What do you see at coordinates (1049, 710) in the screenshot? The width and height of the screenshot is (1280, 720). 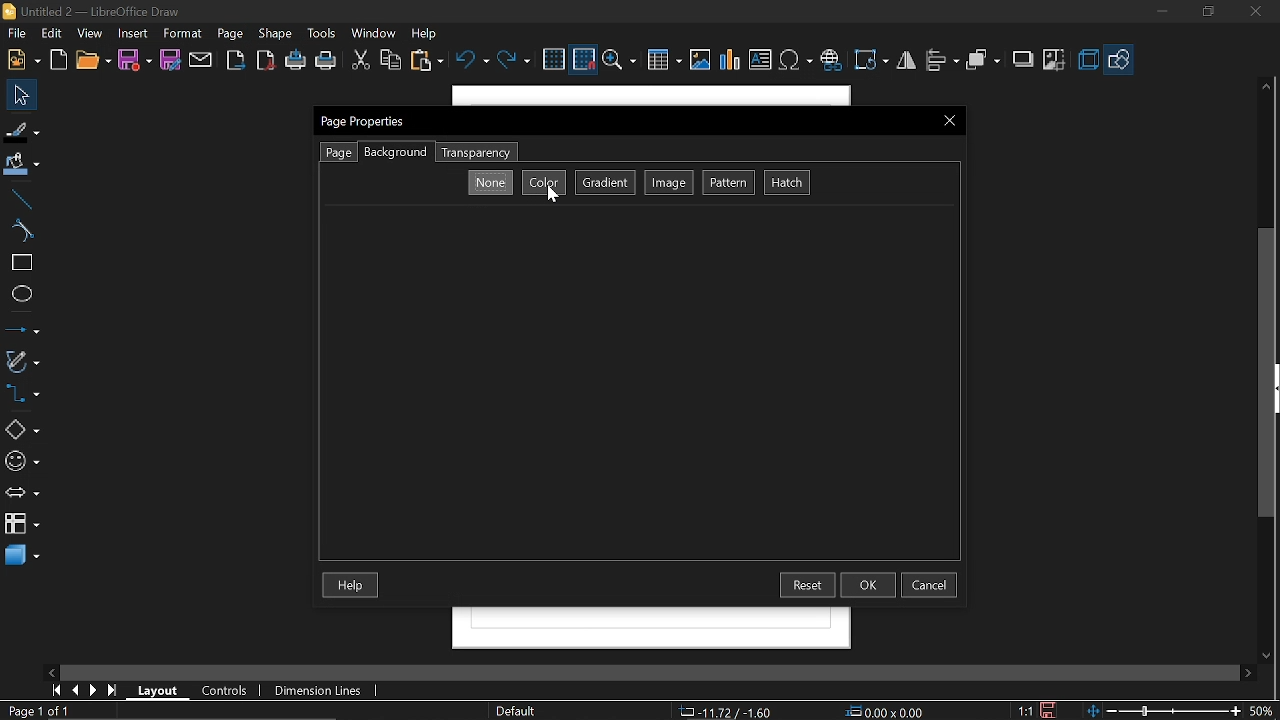 I see `Save` at bounding box center [1049, 710].